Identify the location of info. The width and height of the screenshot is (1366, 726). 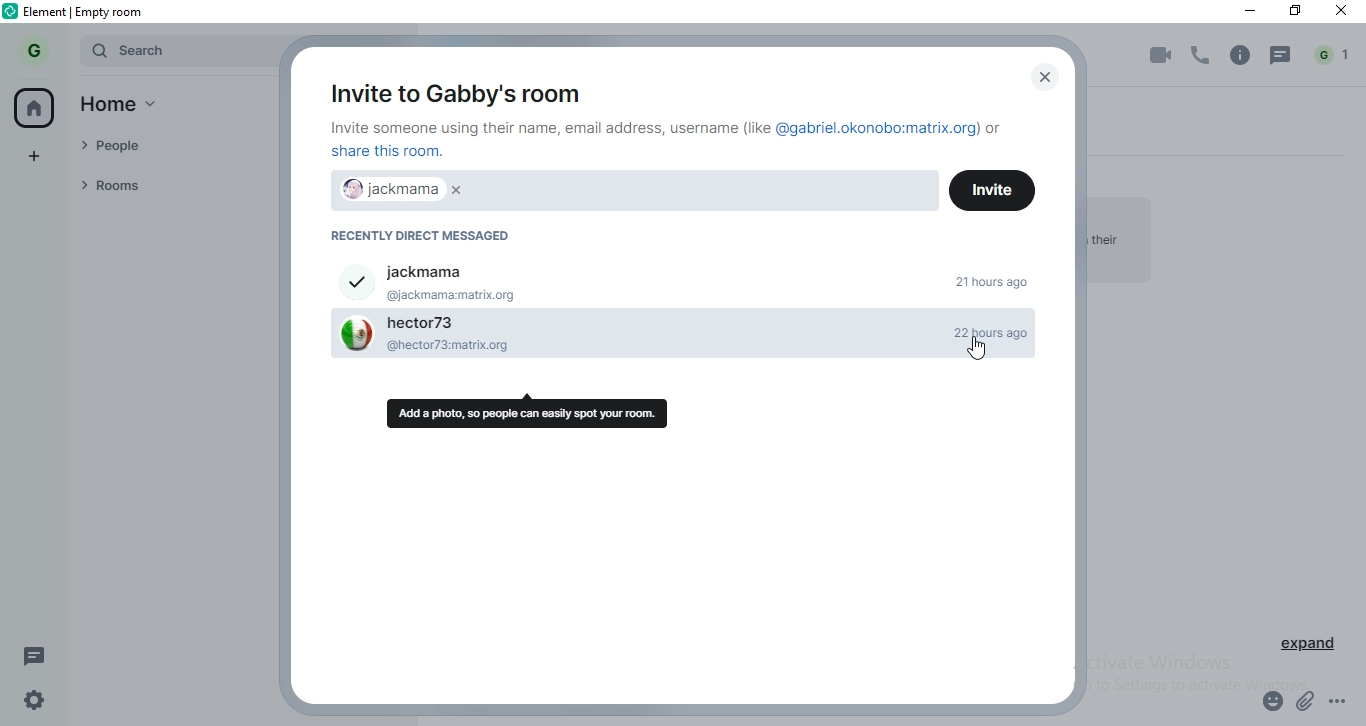
(1240, 55).